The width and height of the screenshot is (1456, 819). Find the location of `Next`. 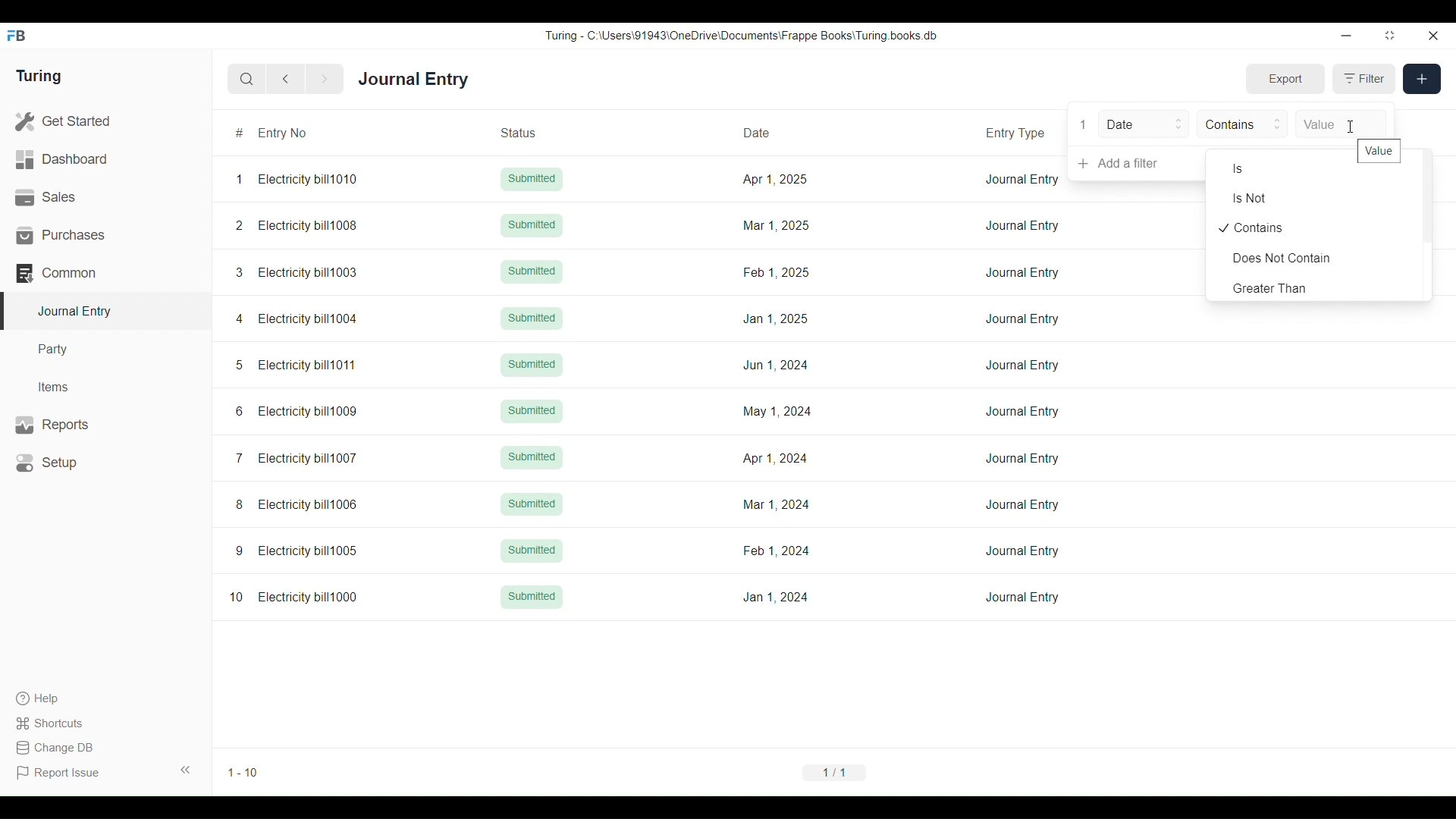

Next is located at coordinates (325, 80).